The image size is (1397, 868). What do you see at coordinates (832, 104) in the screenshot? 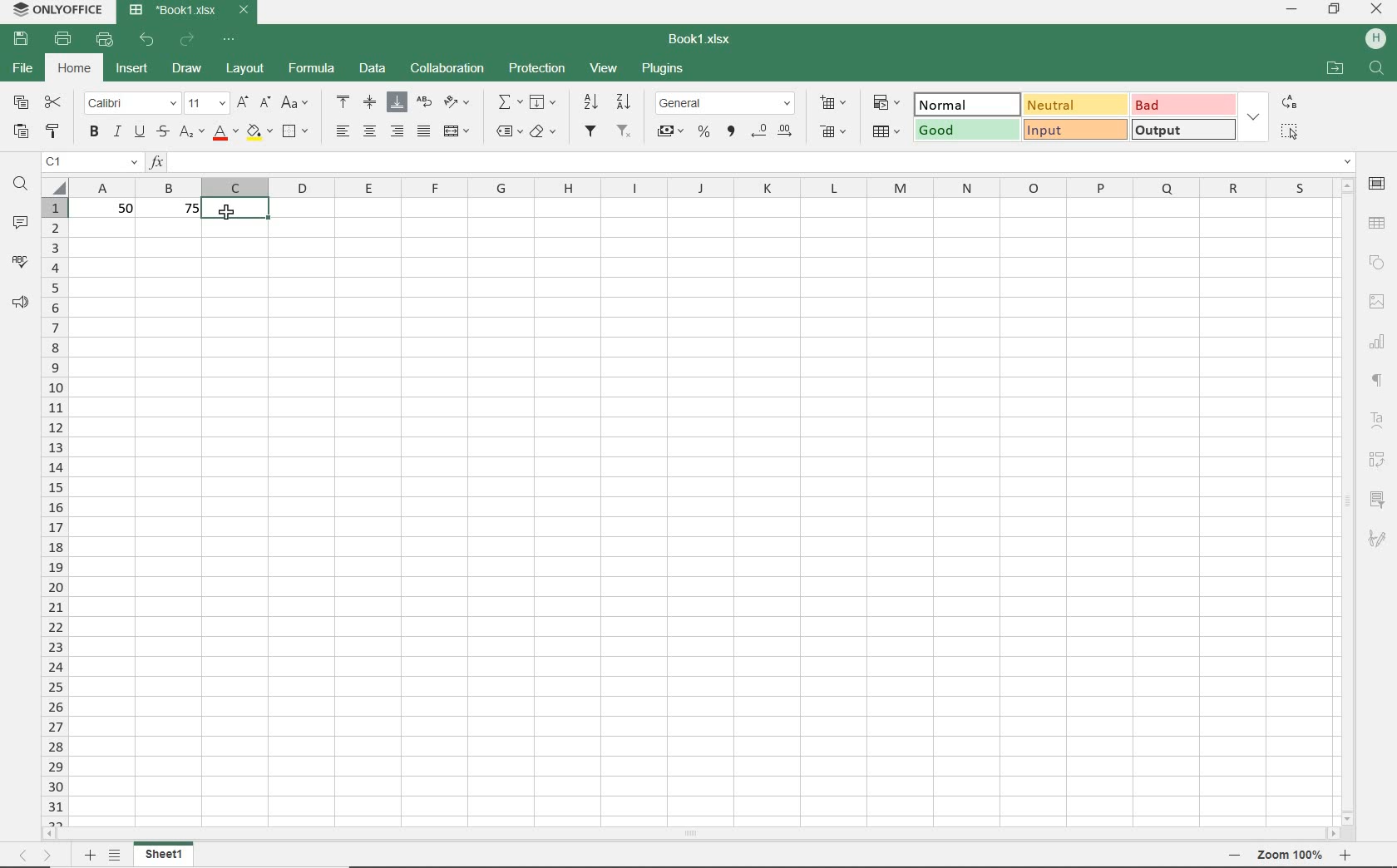
I see `insert cells` at bounding box center [832, 104].